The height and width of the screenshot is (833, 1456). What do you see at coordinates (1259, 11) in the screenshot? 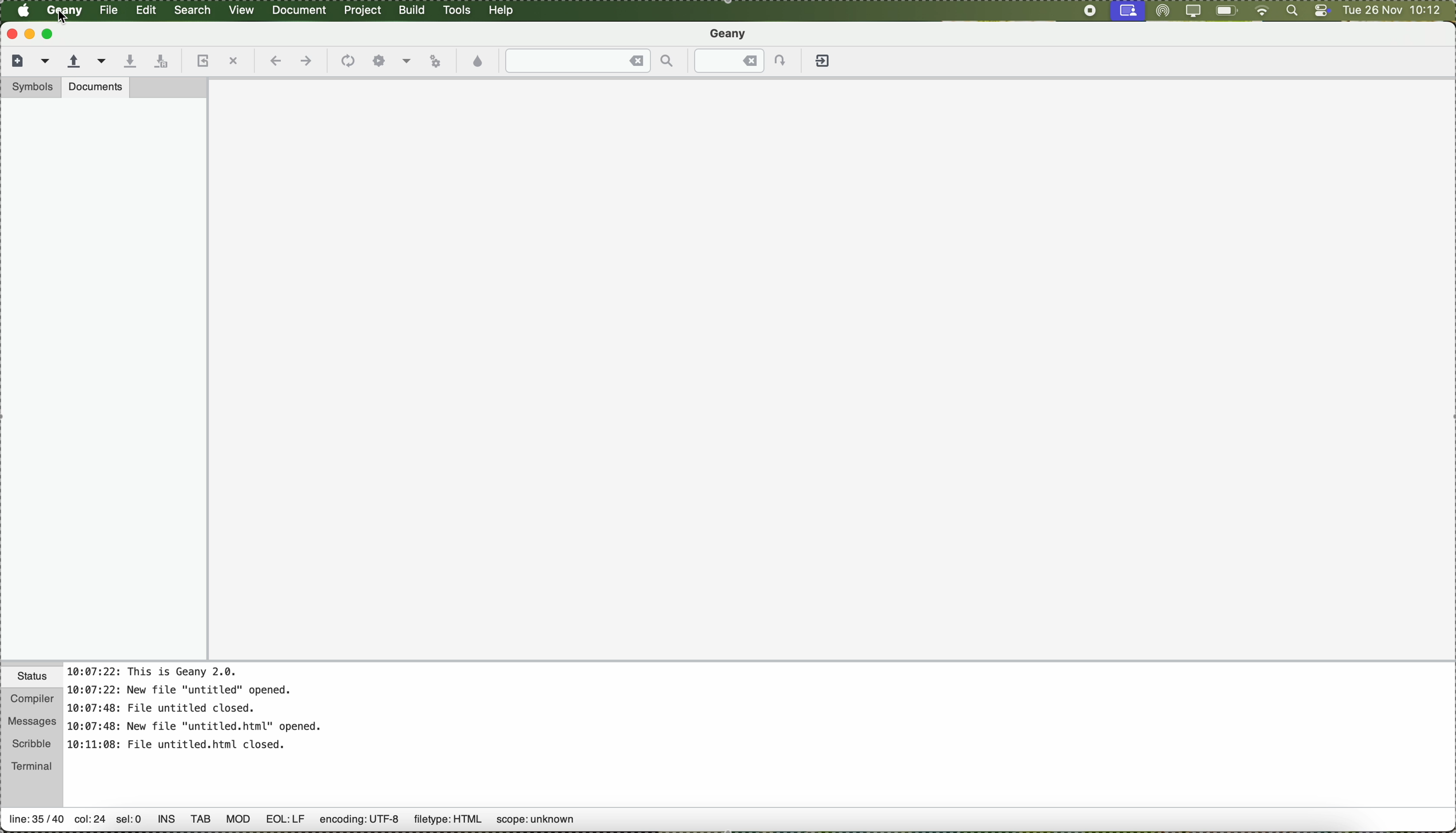
I see `wifi` at bounding box center [1259, 11].